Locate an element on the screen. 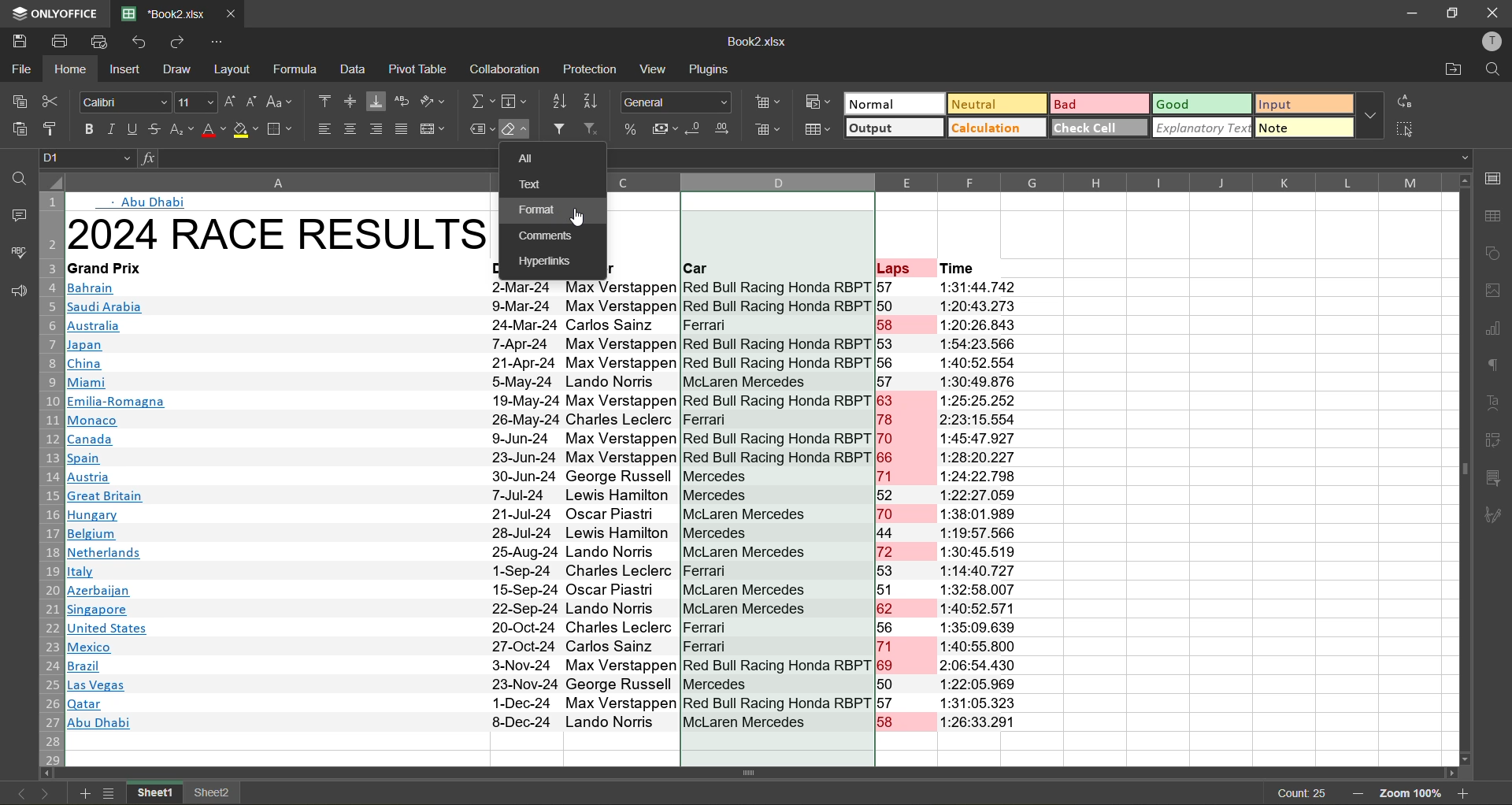  images is located at coordinates (1496, 293).